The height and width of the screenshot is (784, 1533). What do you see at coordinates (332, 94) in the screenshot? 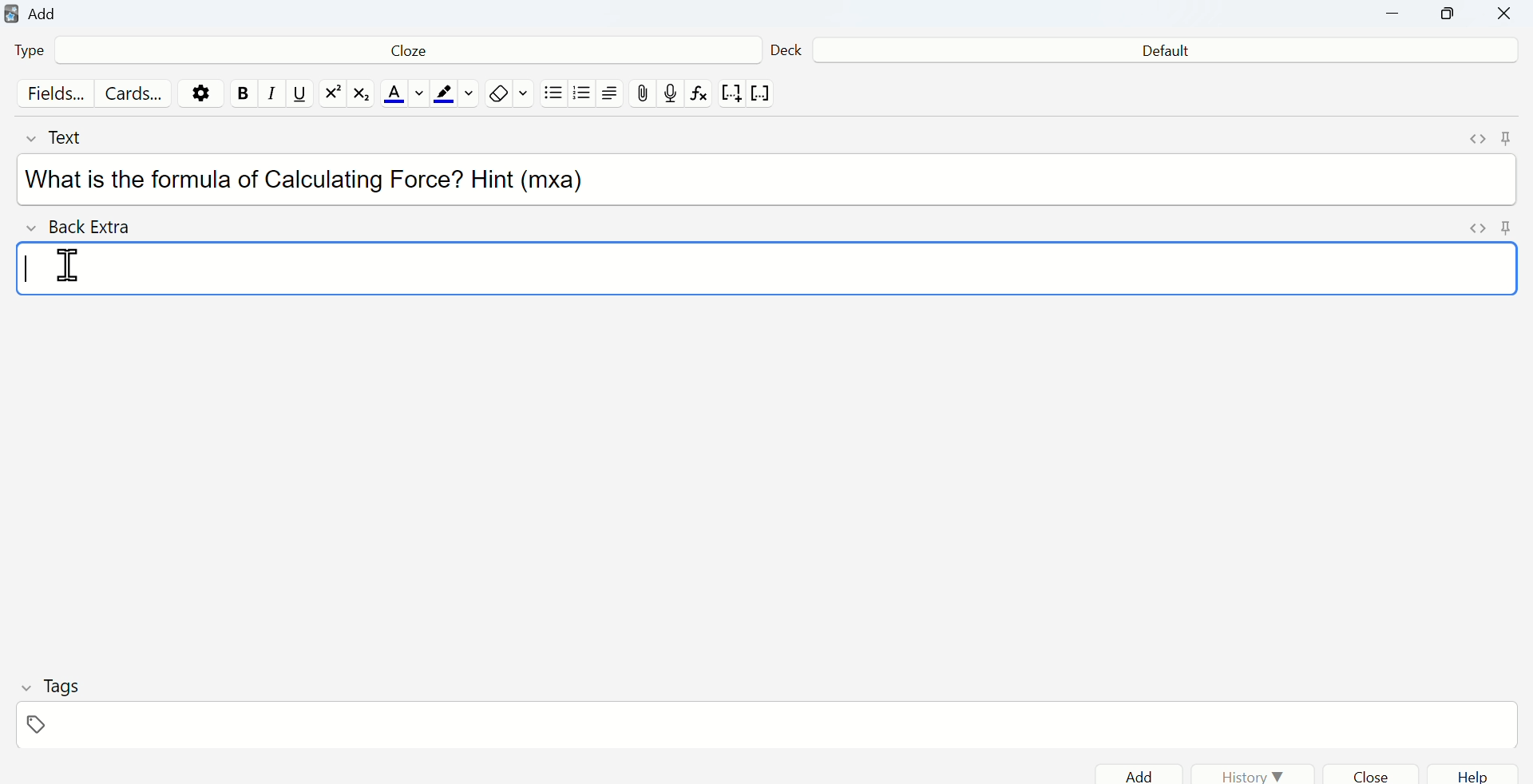
I see `exponential` at bounding box center [332, 94].